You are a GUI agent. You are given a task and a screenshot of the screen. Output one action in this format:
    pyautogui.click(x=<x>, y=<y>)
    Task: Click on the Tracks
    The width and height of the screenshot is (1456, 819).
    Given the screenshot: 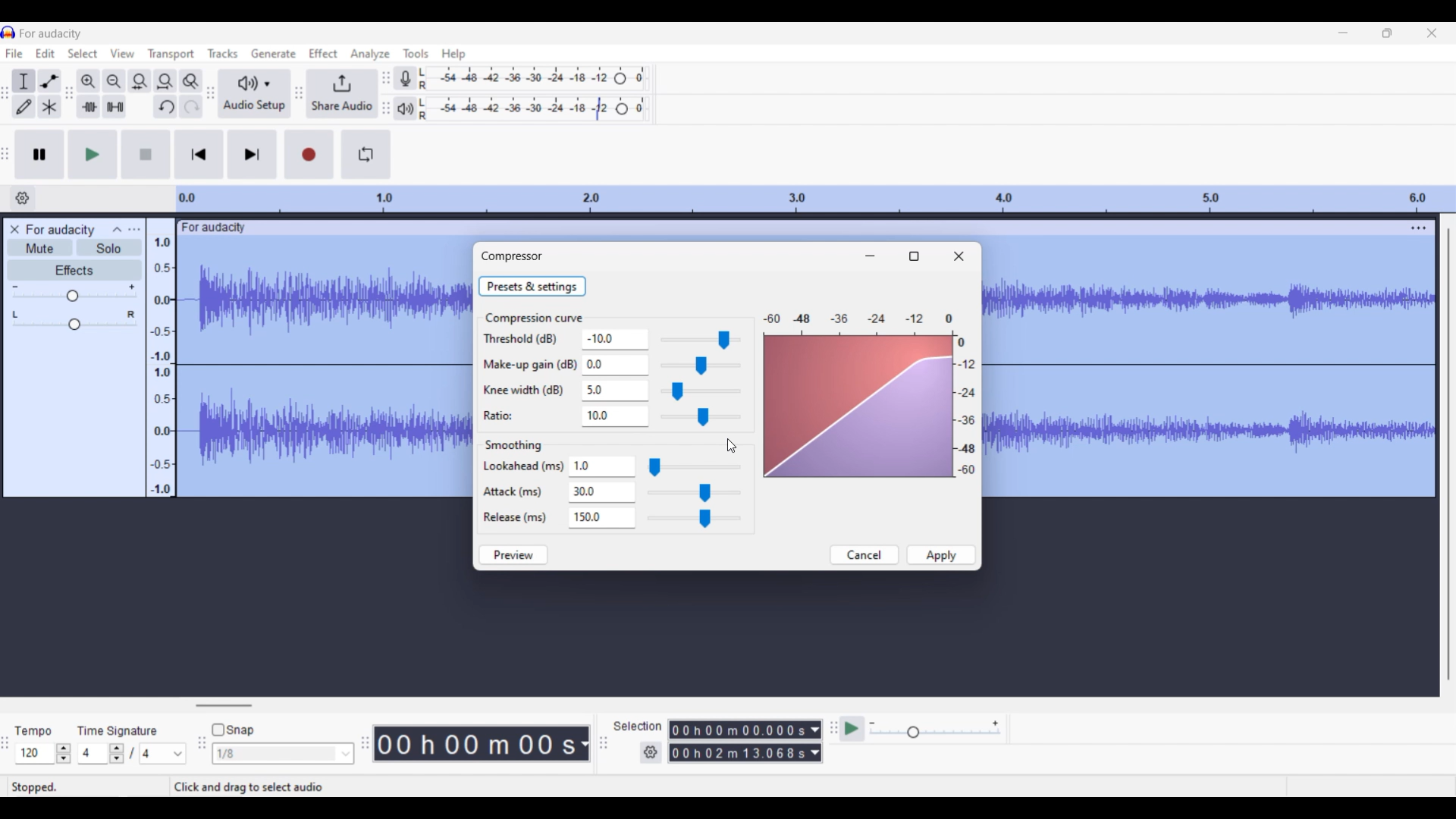 What is the action you would take?
    pyautogui.click(x=222, y=53)
    